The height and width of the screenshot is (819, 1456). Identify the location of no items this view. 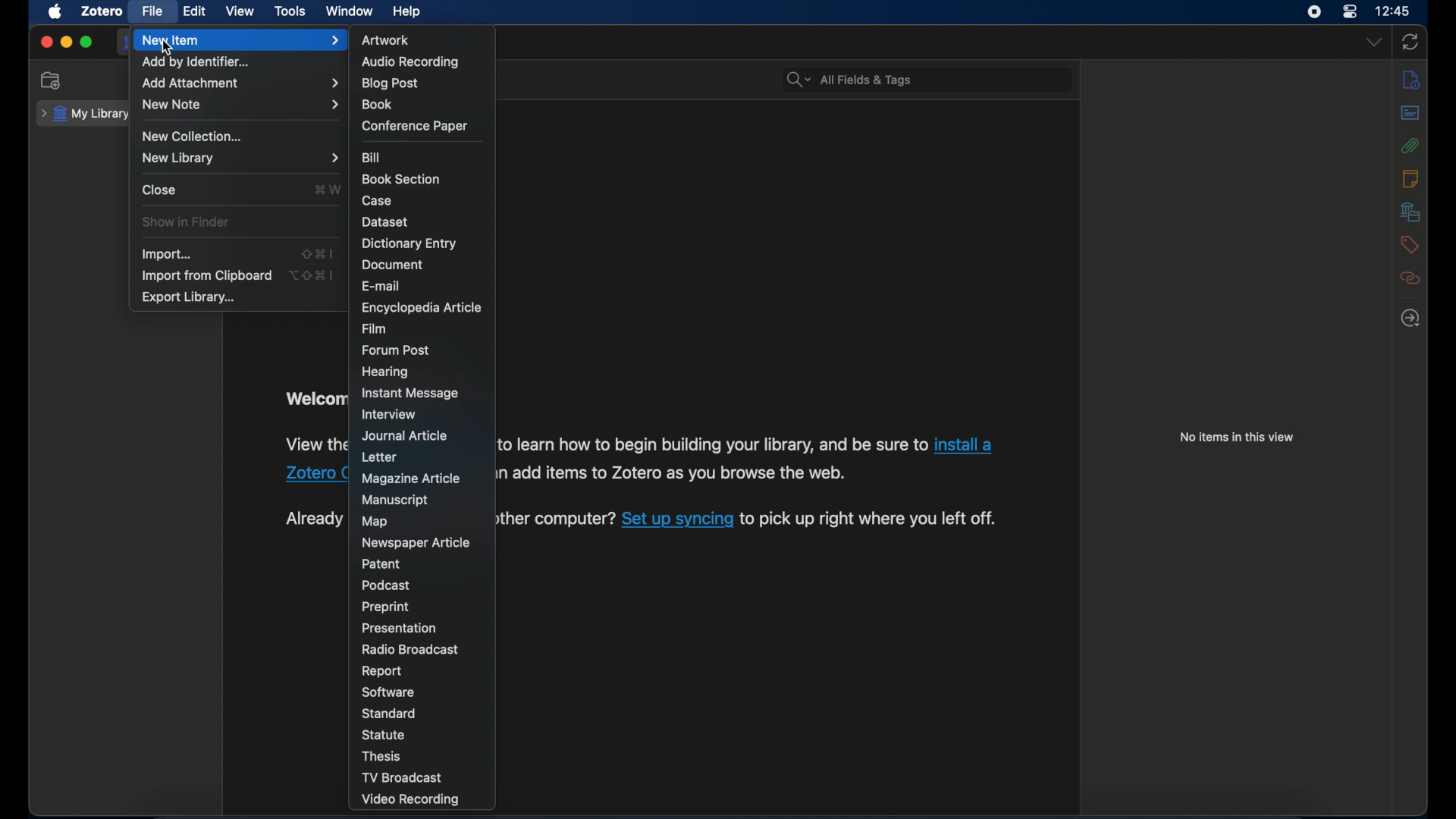
(1236, 437).